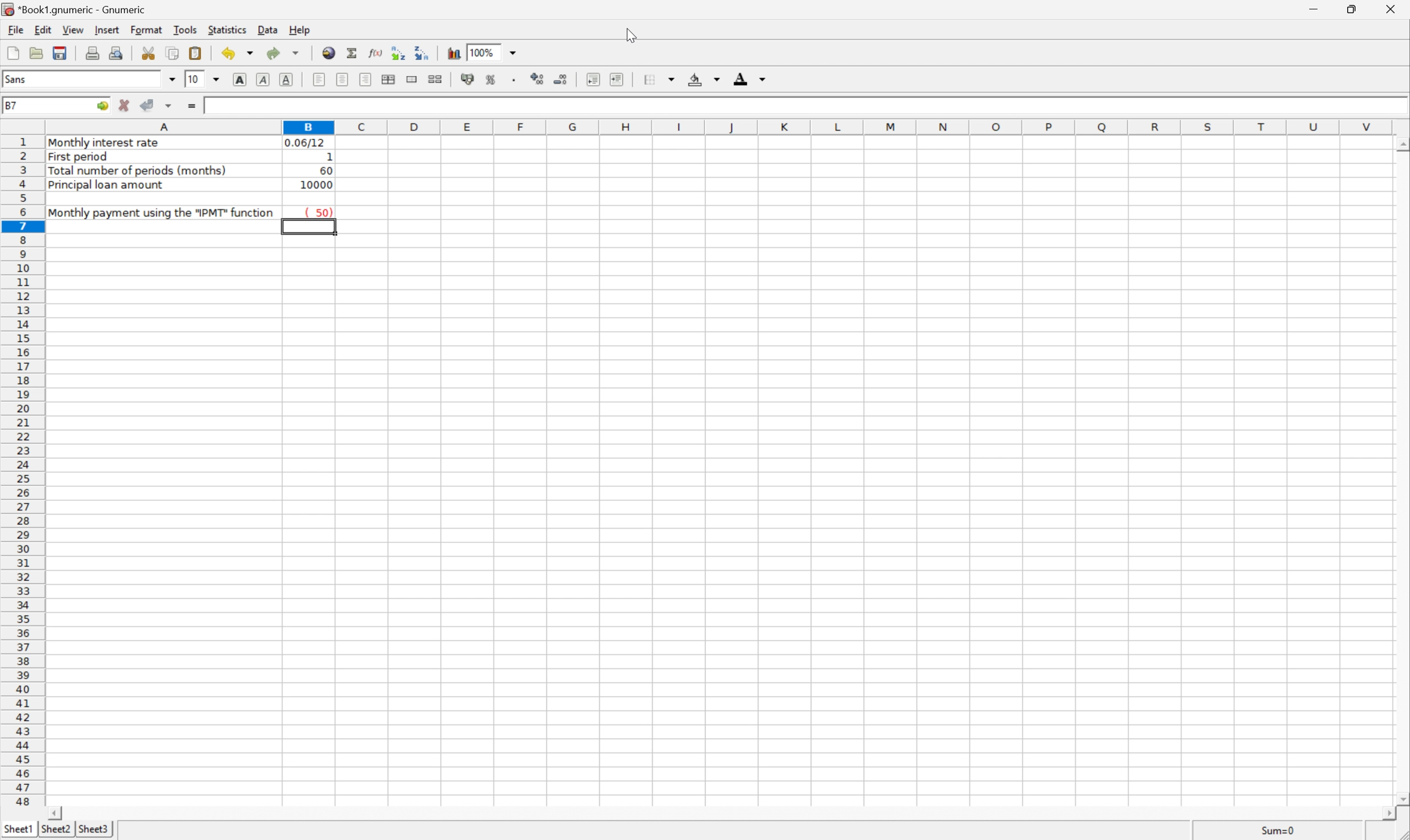  I want to click on Total number of periods (months), so click(140, 170).